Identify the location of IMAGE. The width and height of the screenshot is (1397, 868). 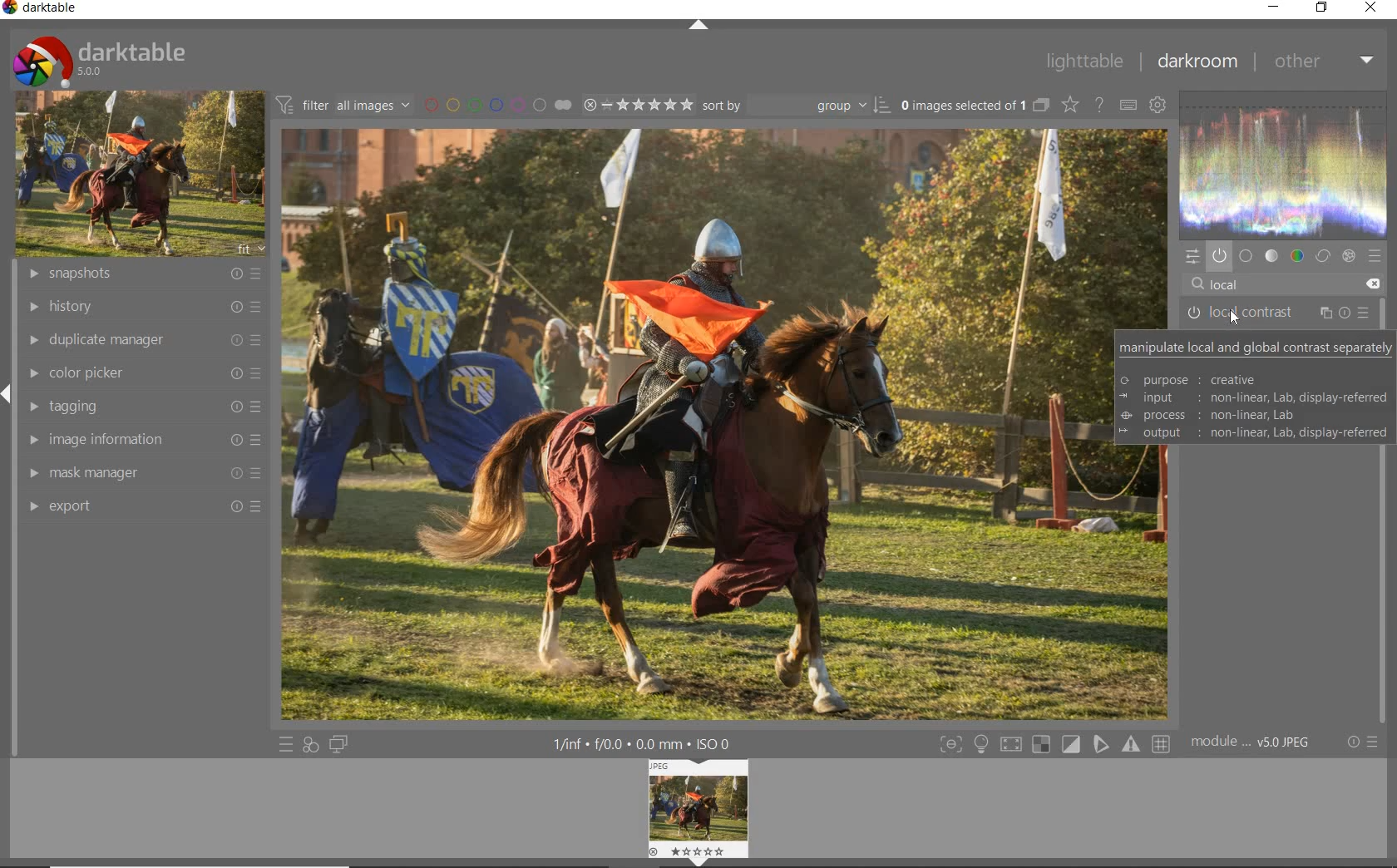
(697, 813).